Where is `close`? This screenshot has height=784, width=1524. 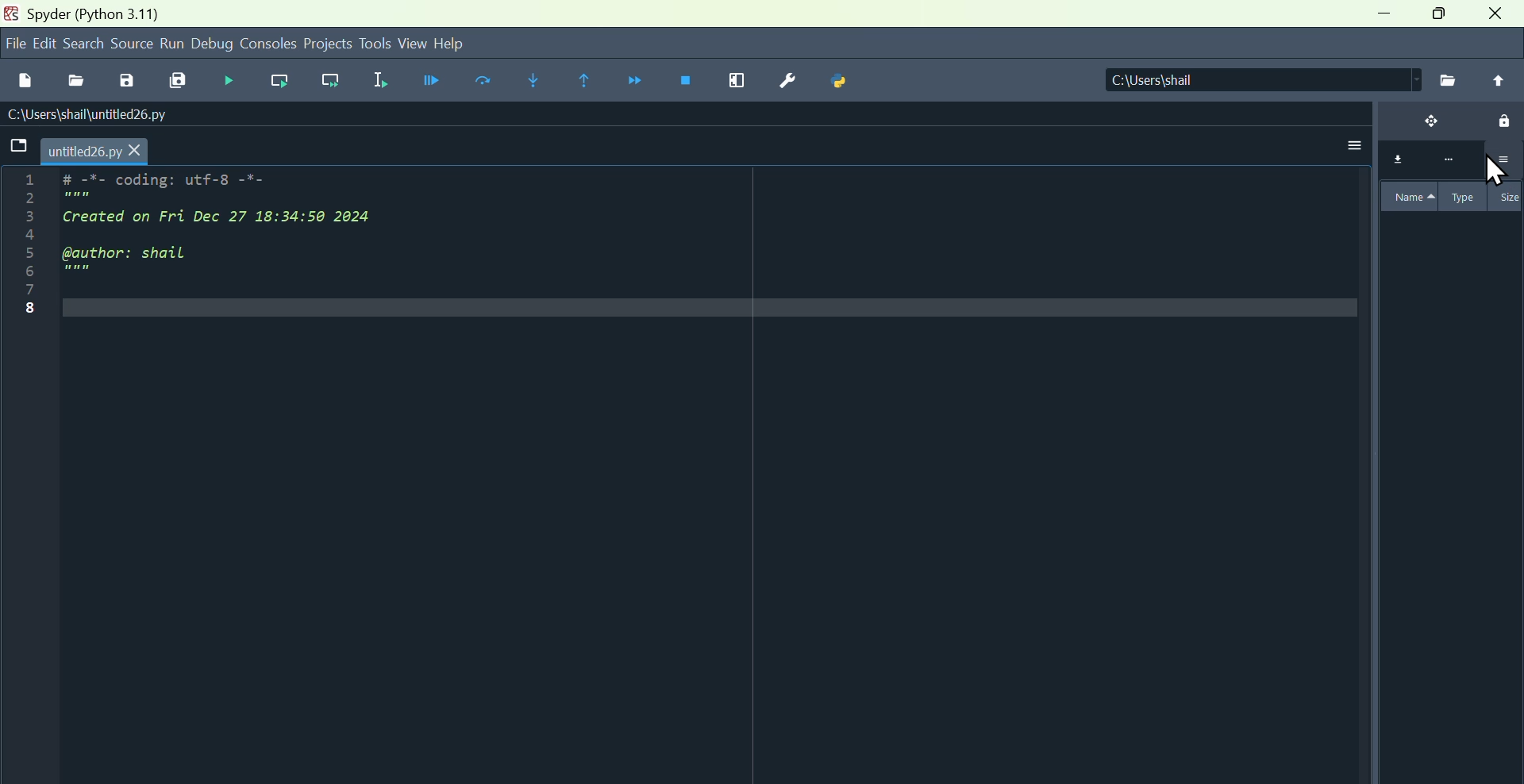 close is located at coordinates (1499, 17).